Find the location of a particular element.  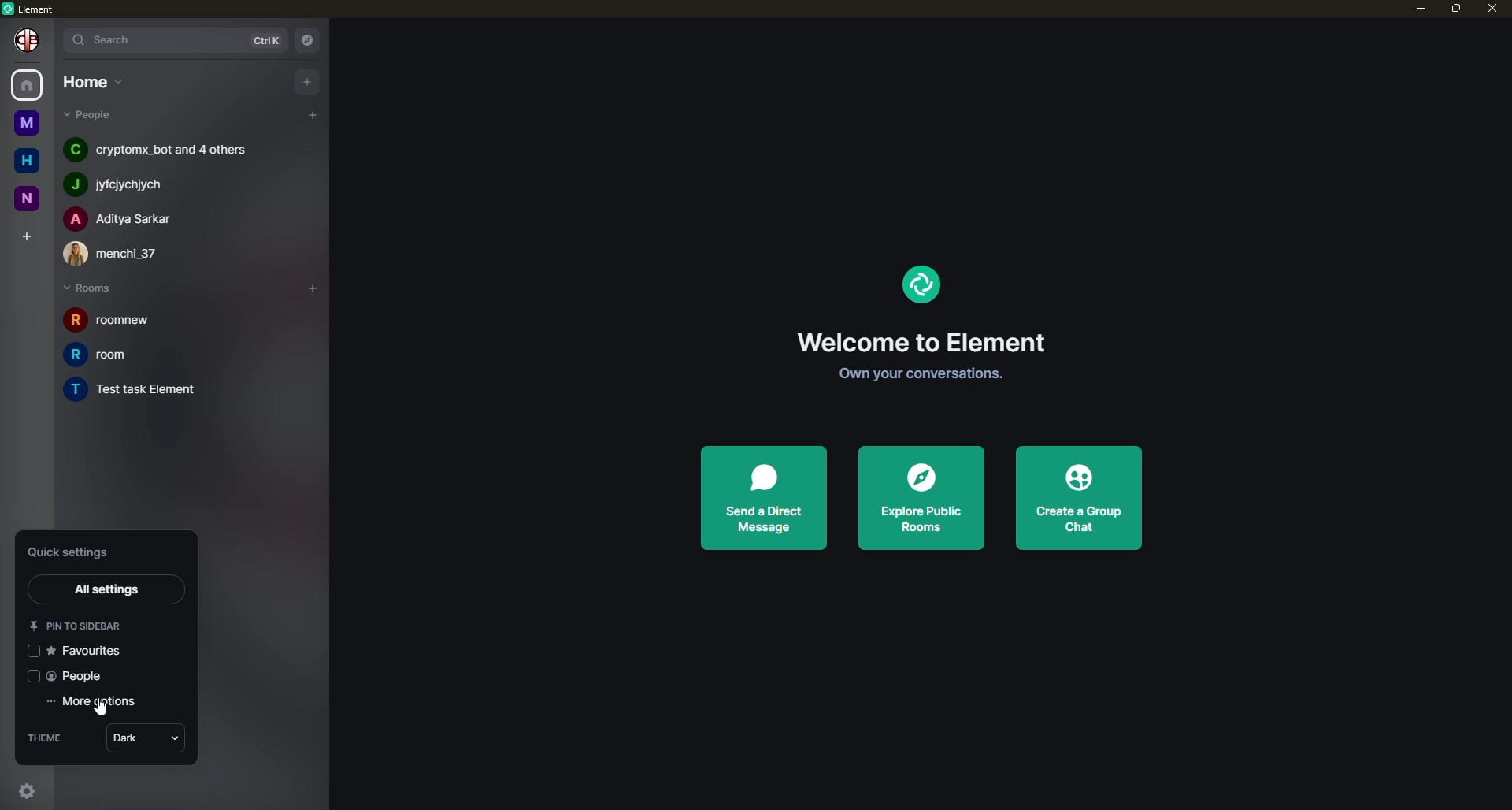

home is located at coordinates (24, 158).